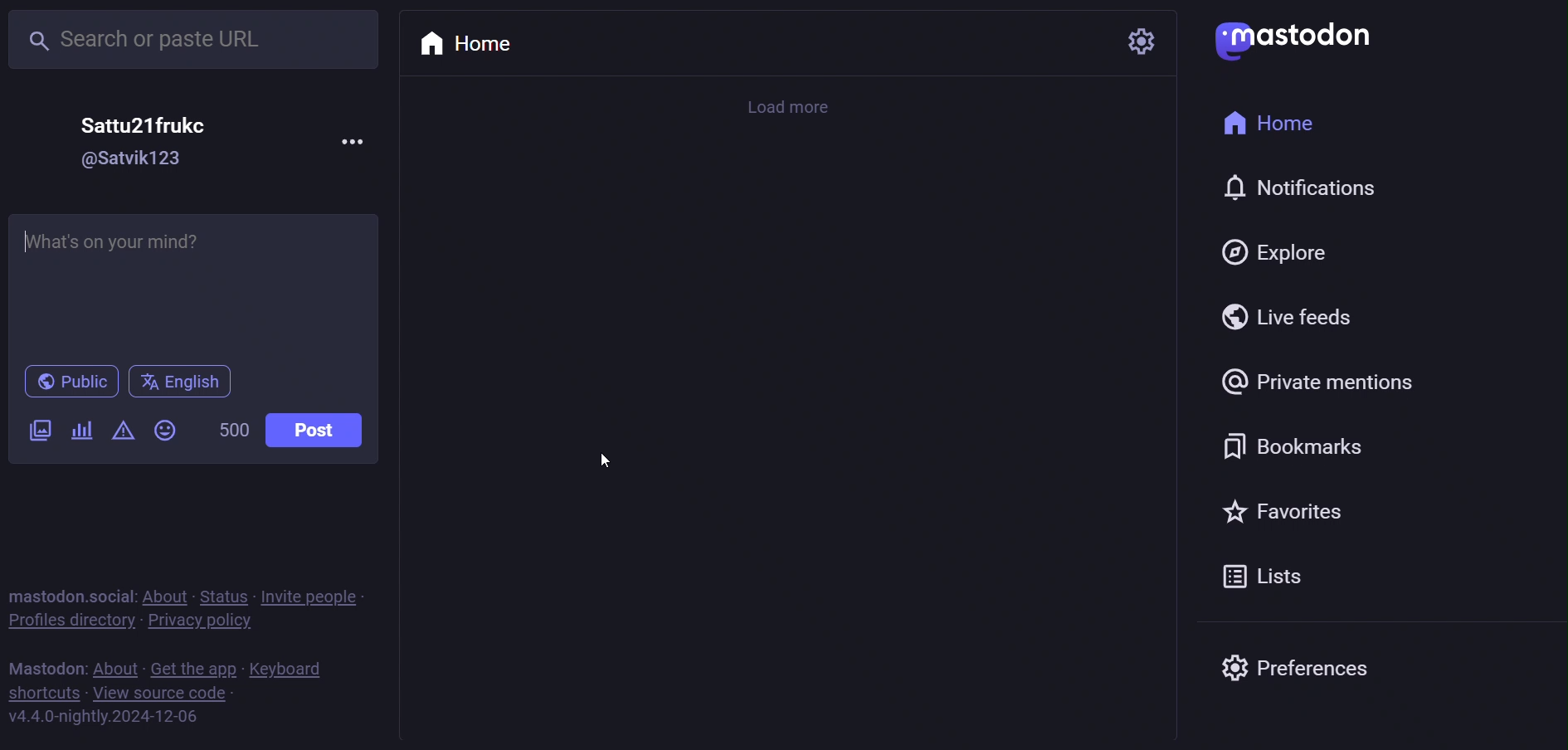 The image size is (1568, 750). Describe the element at coordinates (290, 669) in the screenshot. I see `keyboard` at that location.